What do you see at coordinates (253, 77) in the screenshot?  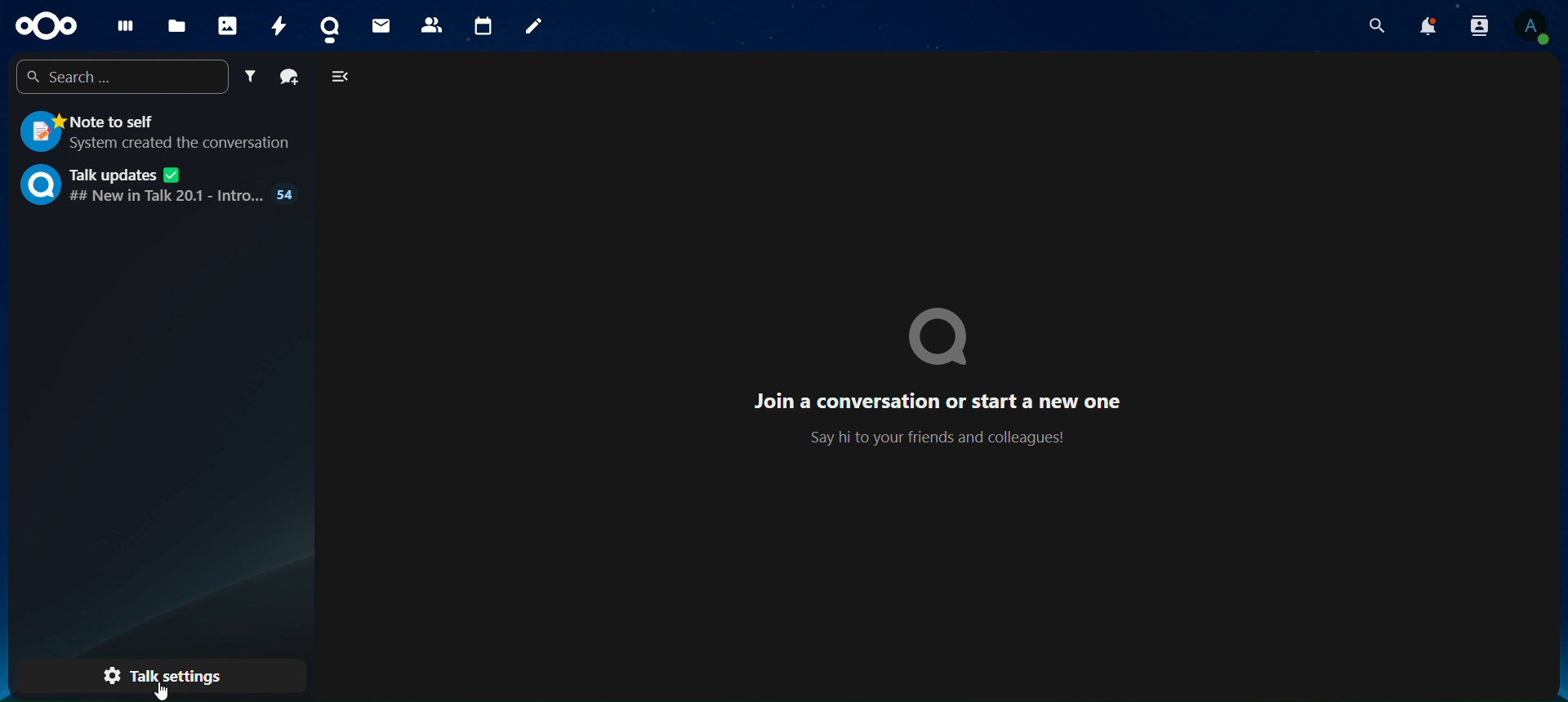 I see `filter` at bounding box center [253, 77].